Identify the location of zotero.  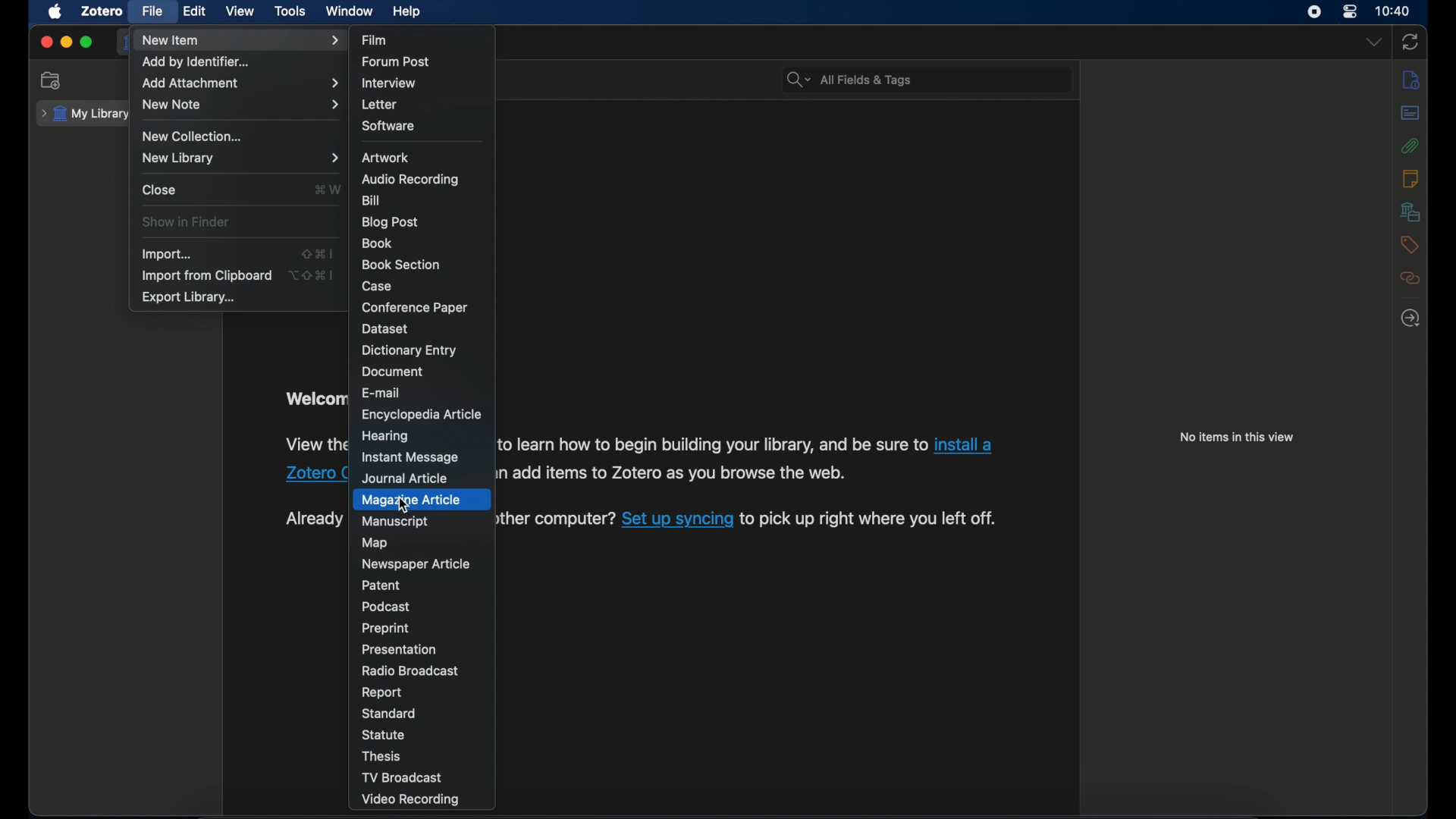
(100, 11).